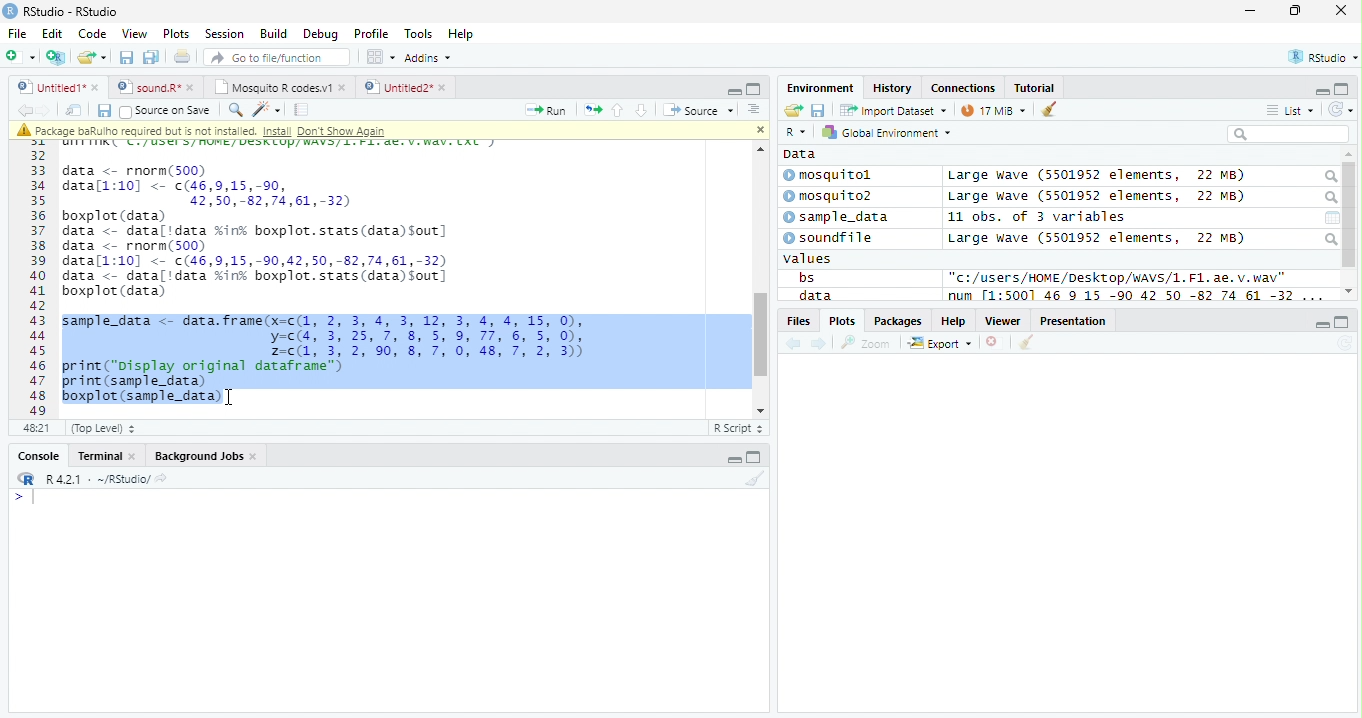  I want to click on 11 obs. of 3 variables, so click(1037, 217).